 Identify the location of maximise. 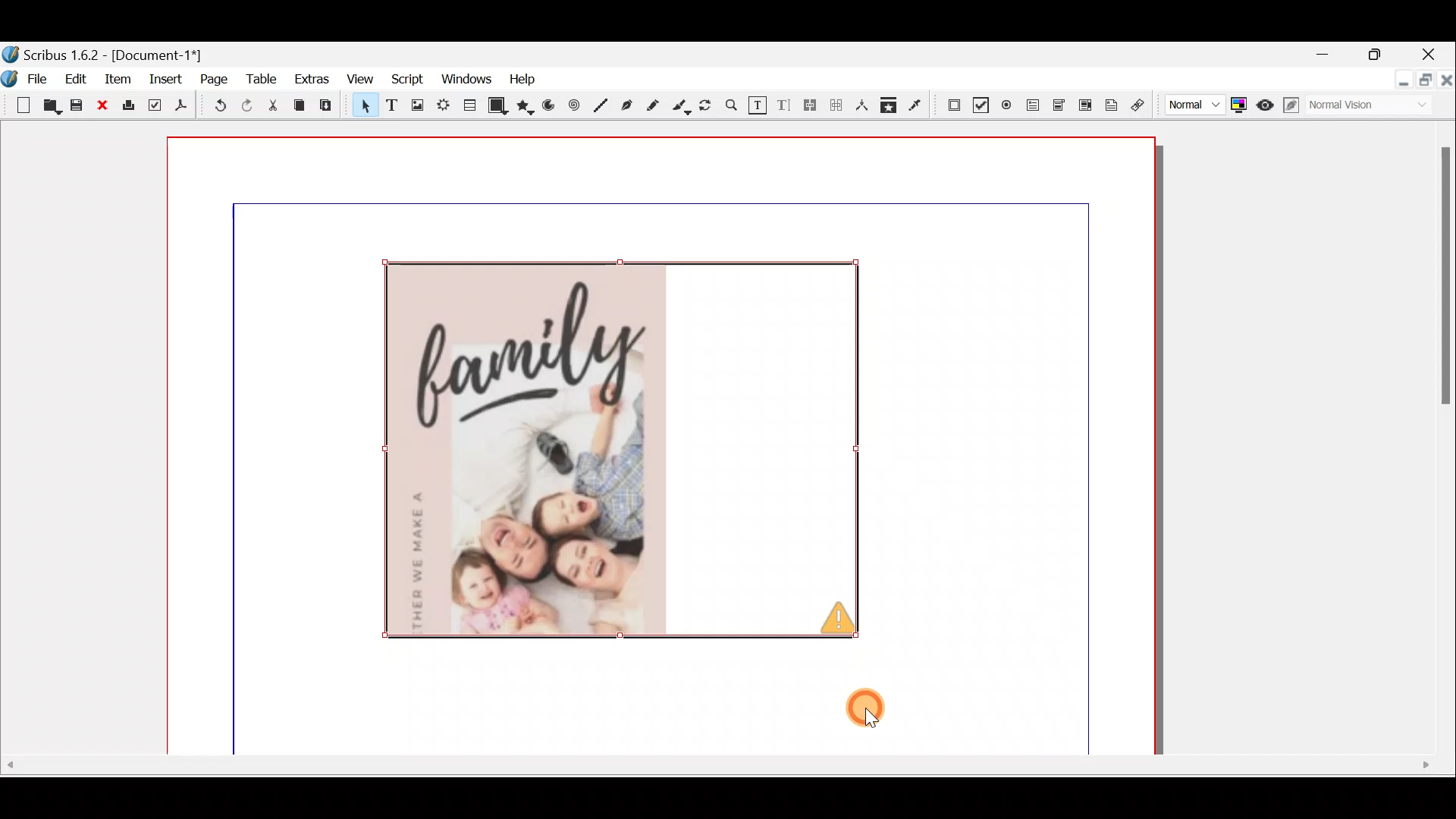
(1379, 57).